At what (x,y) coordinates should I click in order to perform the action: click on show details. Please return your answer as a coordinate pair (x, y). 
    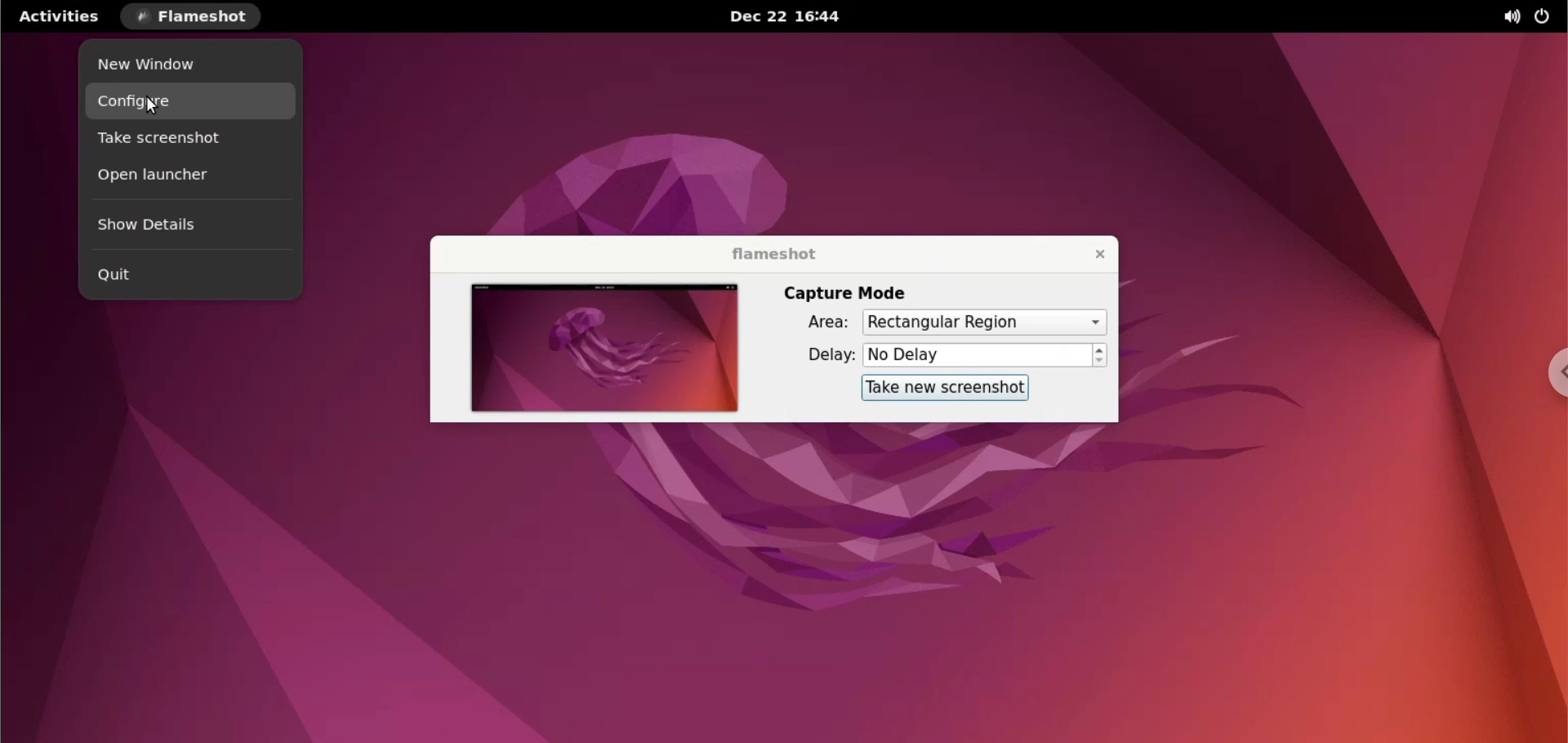
    Looking at the image, I should click on (193, 221).